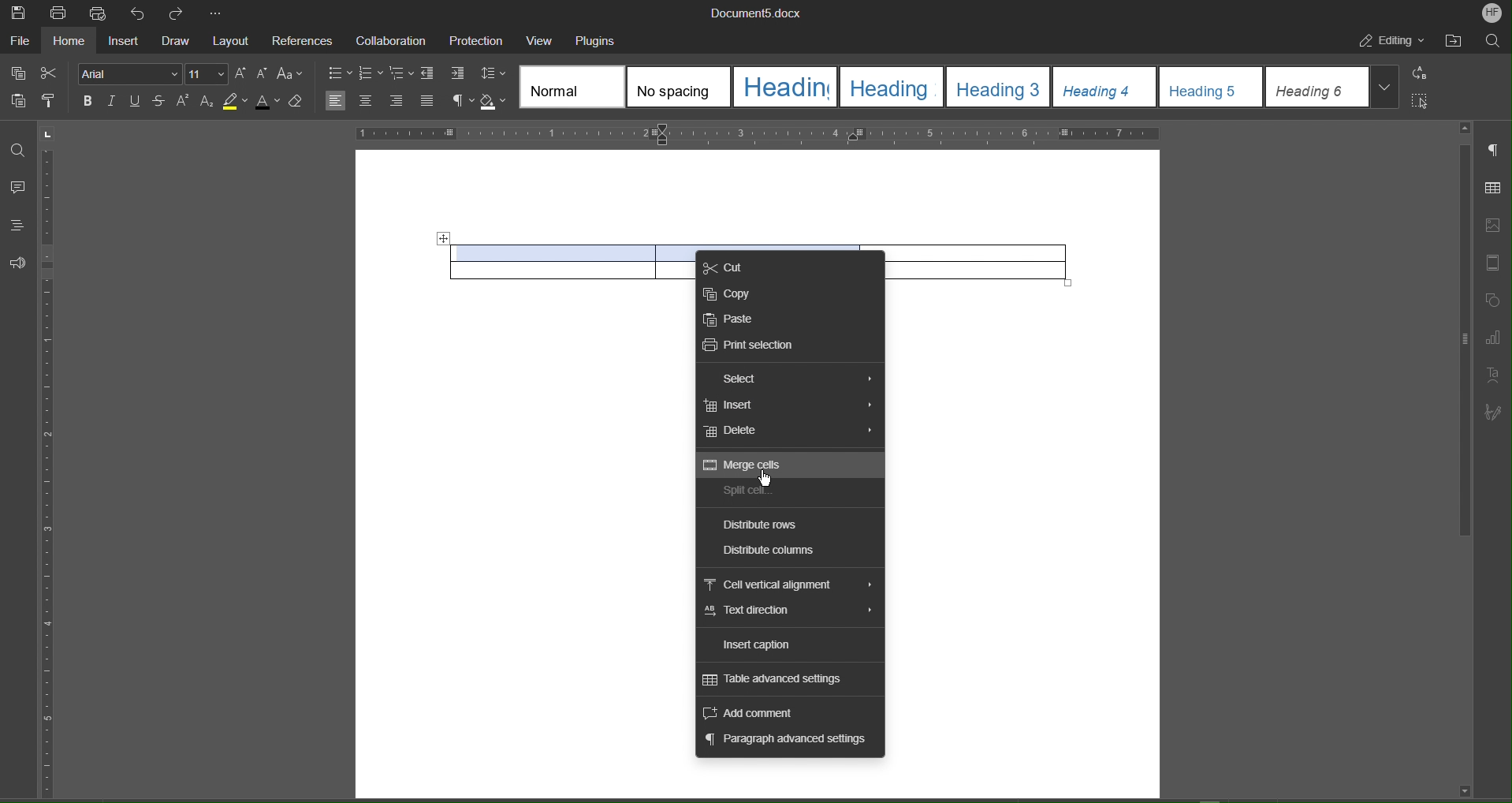 The image size is (1512, 803). What do you see at coordinates (442, 239) in the screenshot?
I see `Move table` at bounding box center [442, 239].